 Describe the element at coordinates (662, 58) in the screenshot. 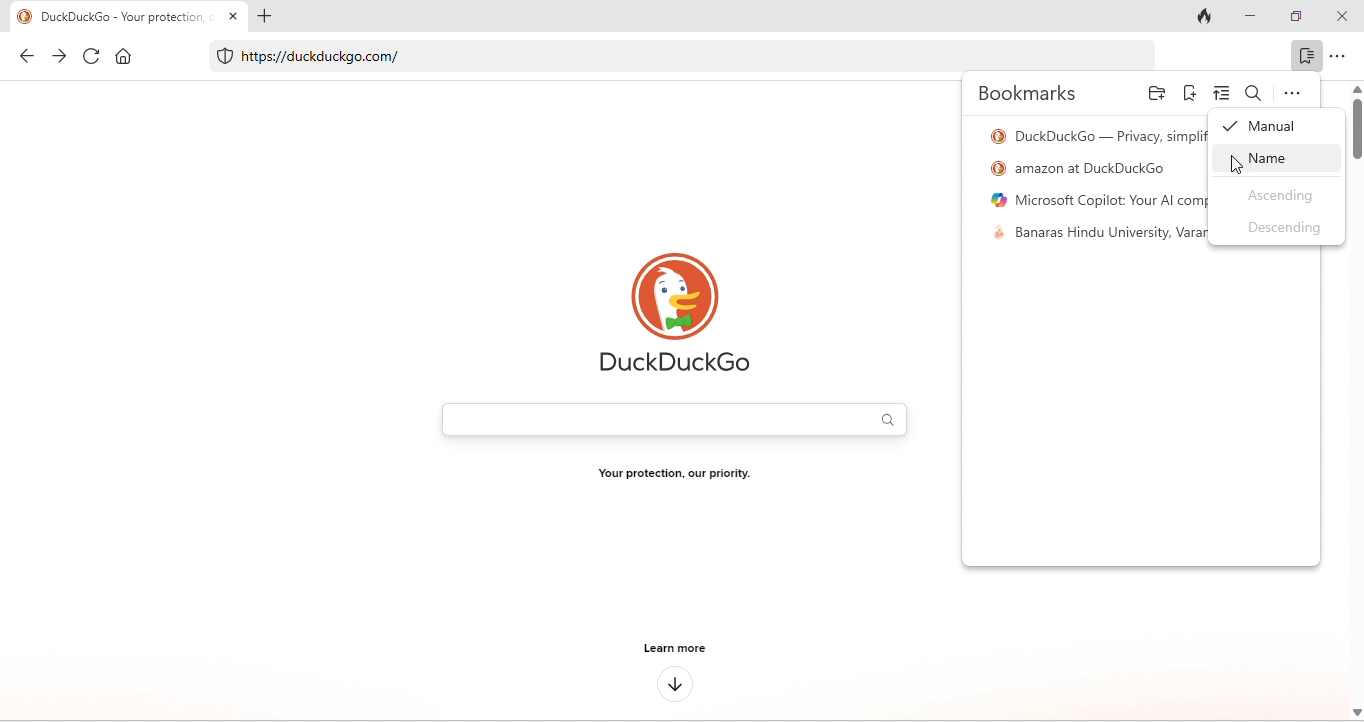

I see `https//duckduckgo.com/` at that location.